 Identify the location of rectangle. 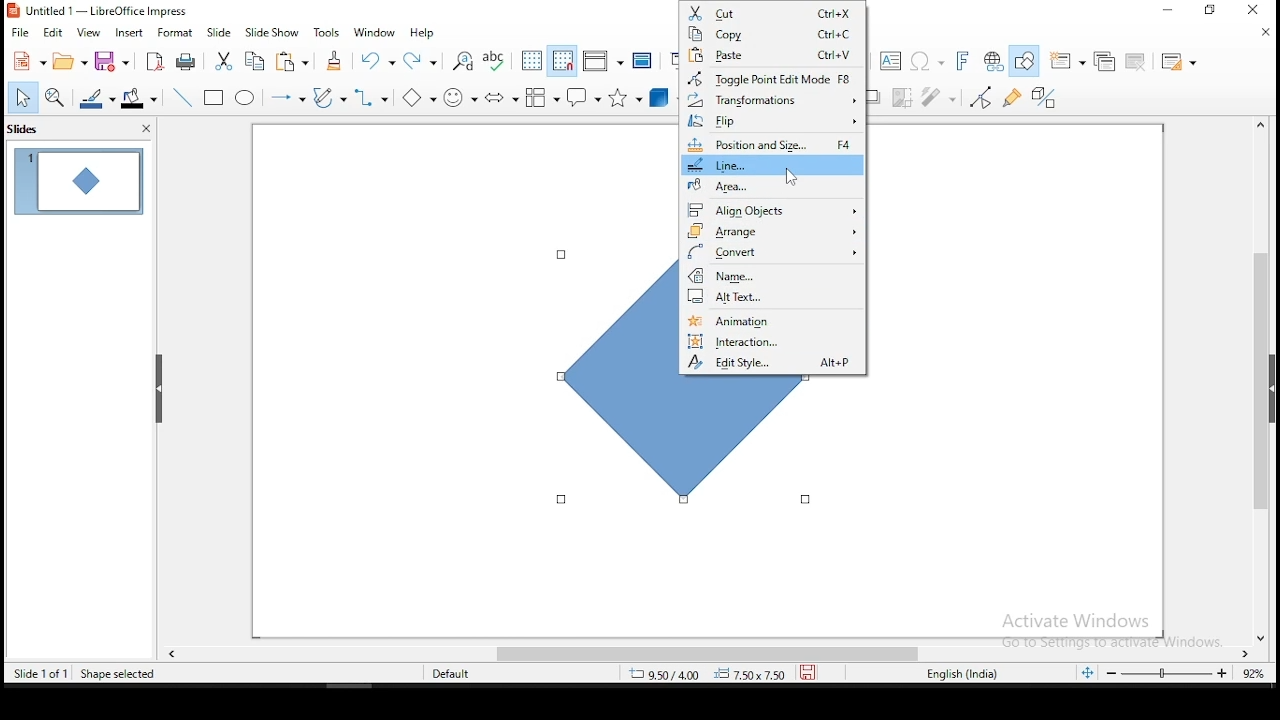
(214, 96).